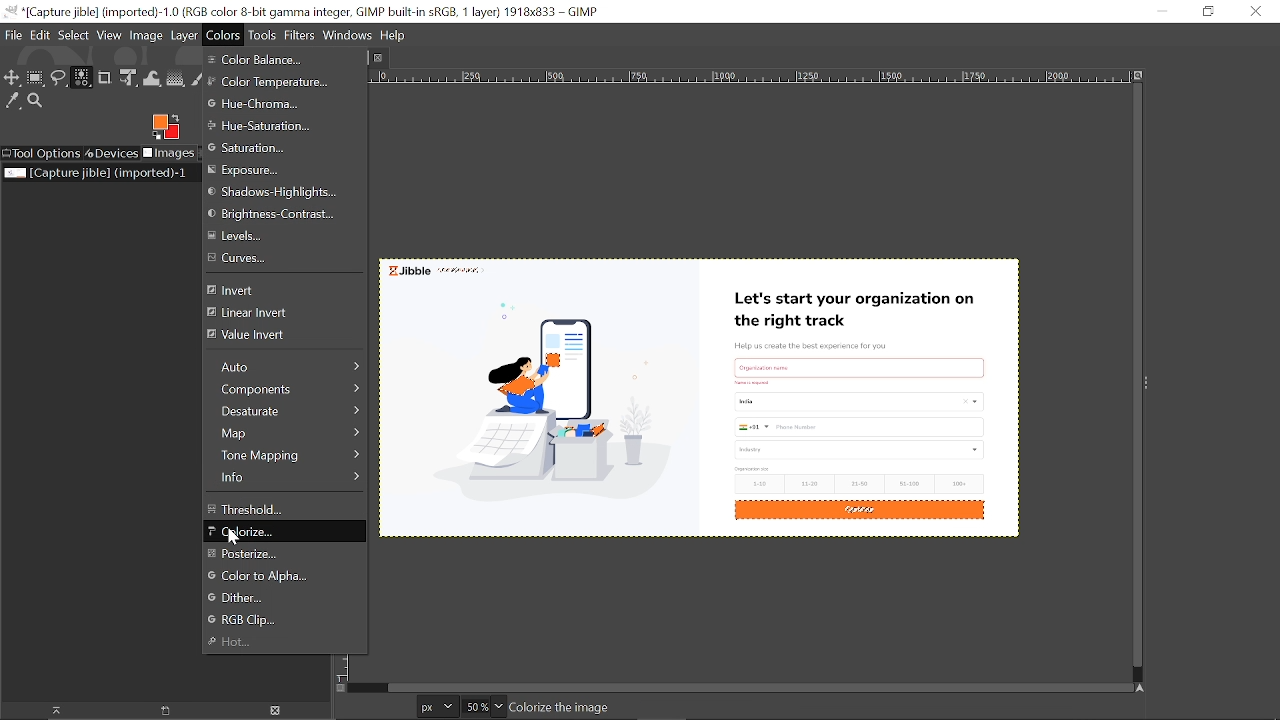 Image resolution: width=1280 pixels, height=720 pixels. What do you see at coordinates (286, 477) in the screenshot?
I see `info` at bounding box center [286, 477].